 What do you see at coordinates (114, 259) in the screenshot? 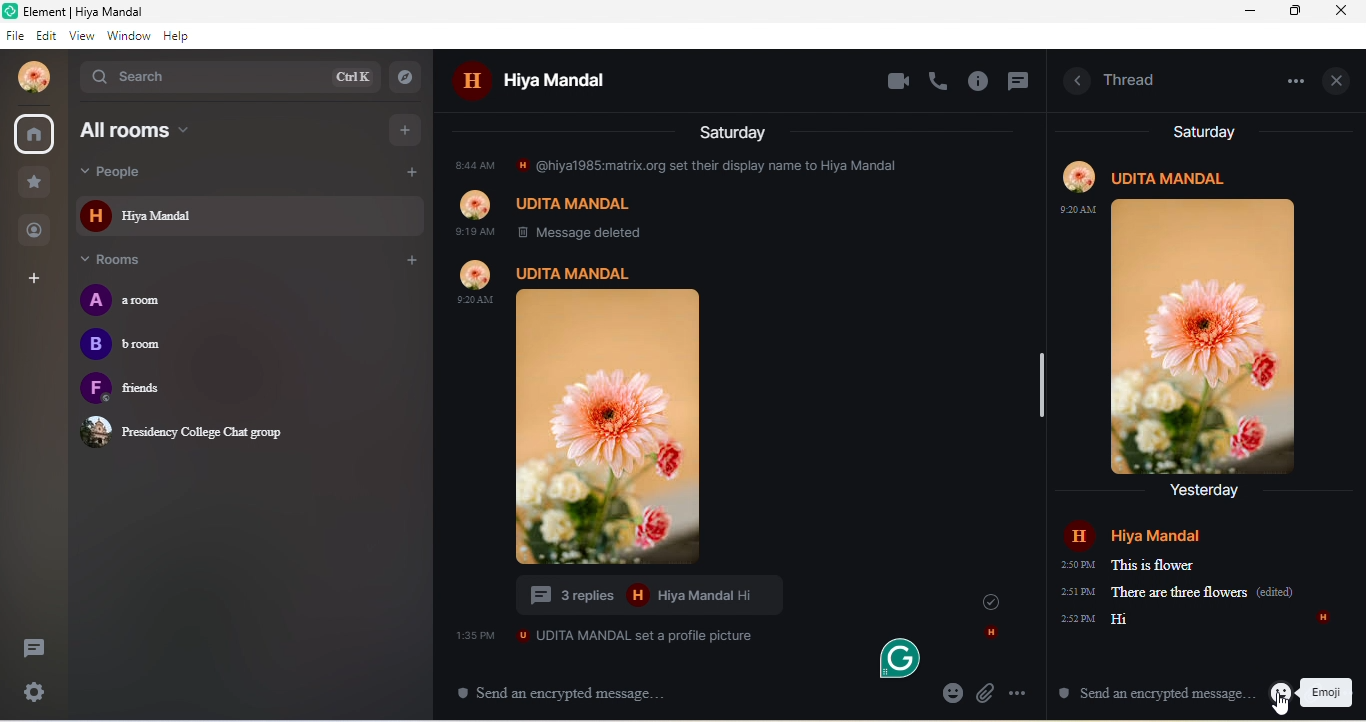
I see `Rooms` at bounding box center [114, 259].